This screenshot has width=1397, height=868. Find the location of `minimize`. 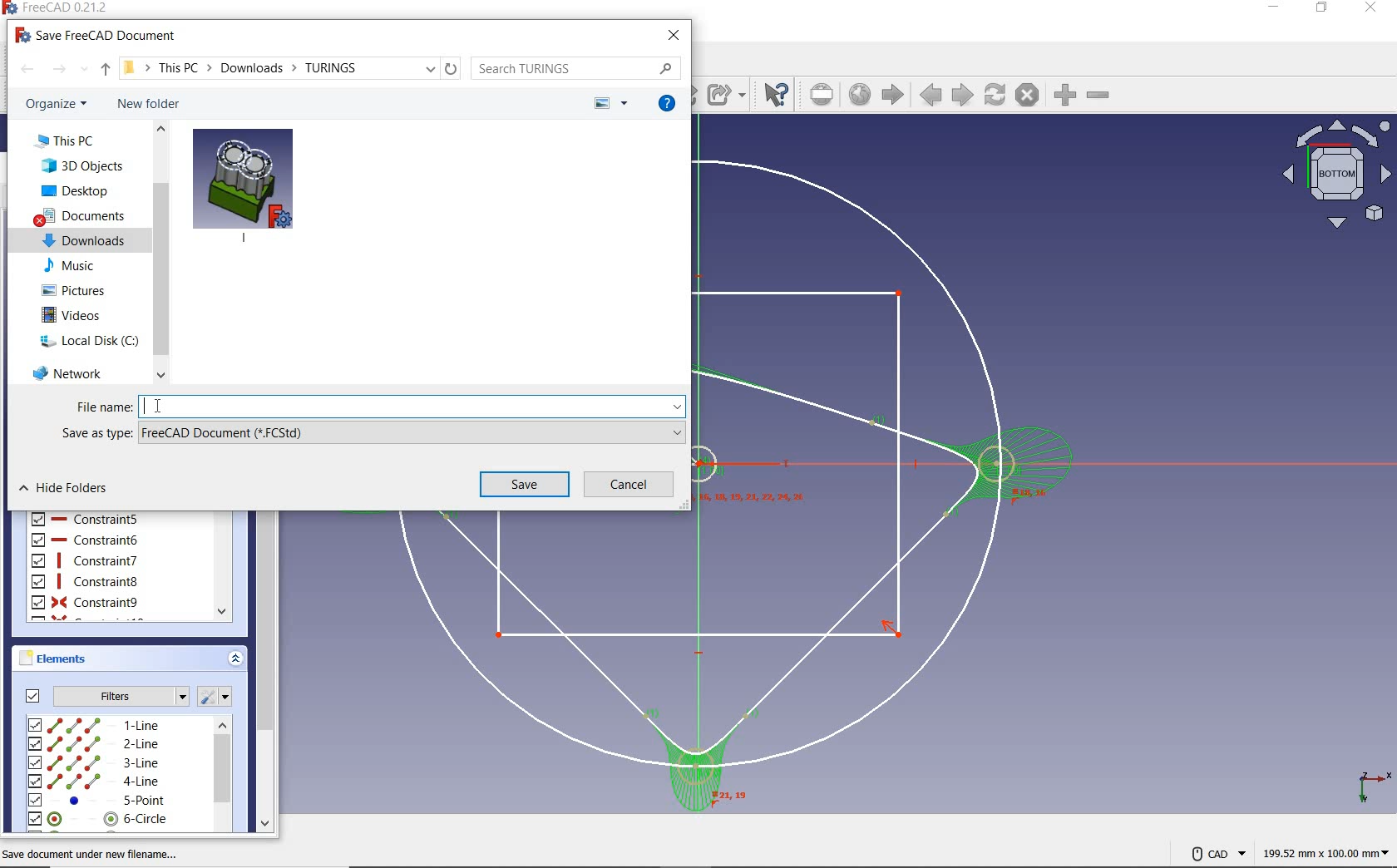

minimize is located at coordinates (1274, 7).